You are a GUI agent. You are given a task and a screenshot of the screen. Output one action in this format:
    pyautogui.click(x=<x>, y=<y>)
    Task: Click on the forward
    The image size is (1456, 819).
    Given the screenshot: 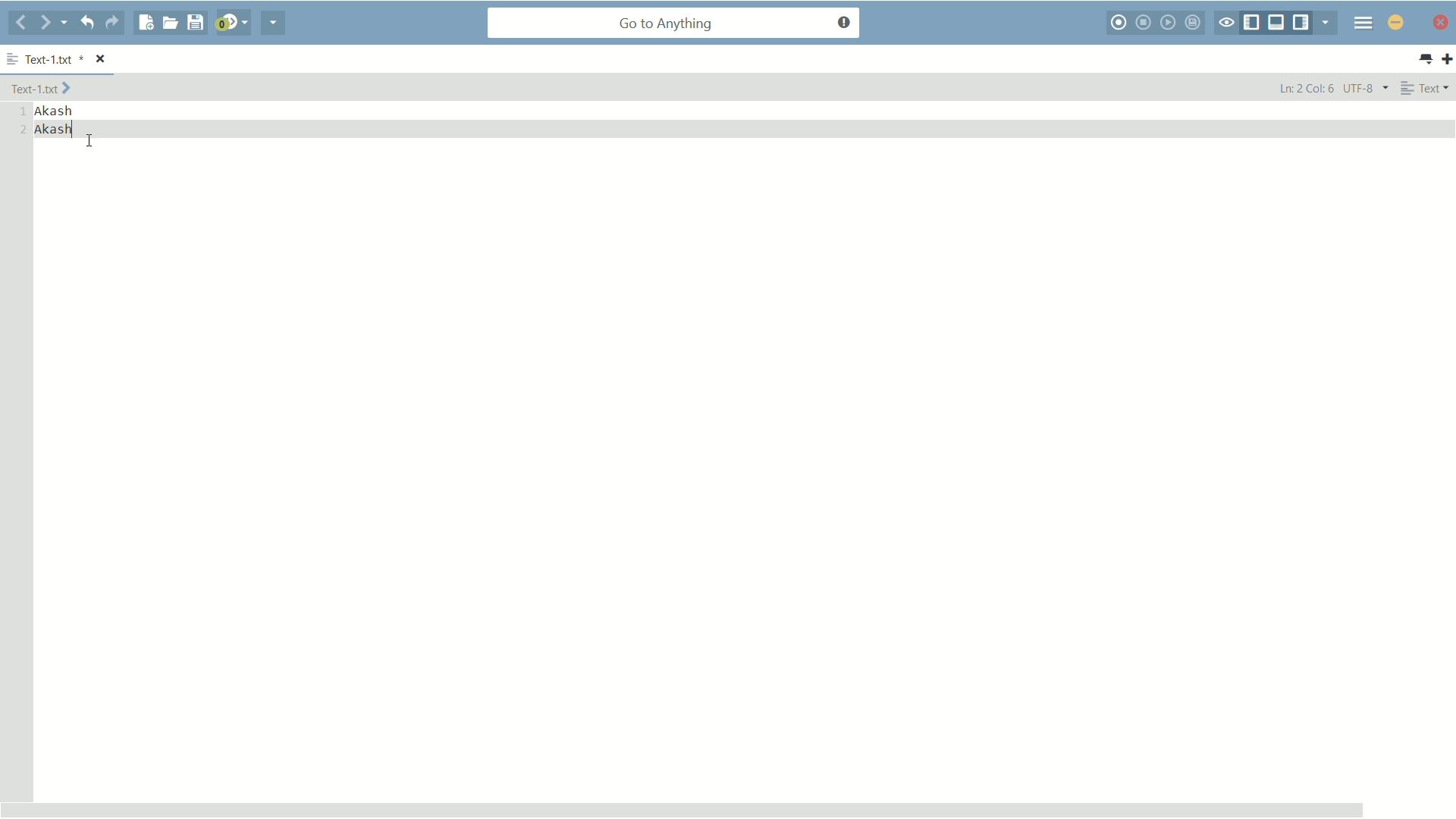 What is the action you would take?
    pyautogui.click(x=53, y=23)
    